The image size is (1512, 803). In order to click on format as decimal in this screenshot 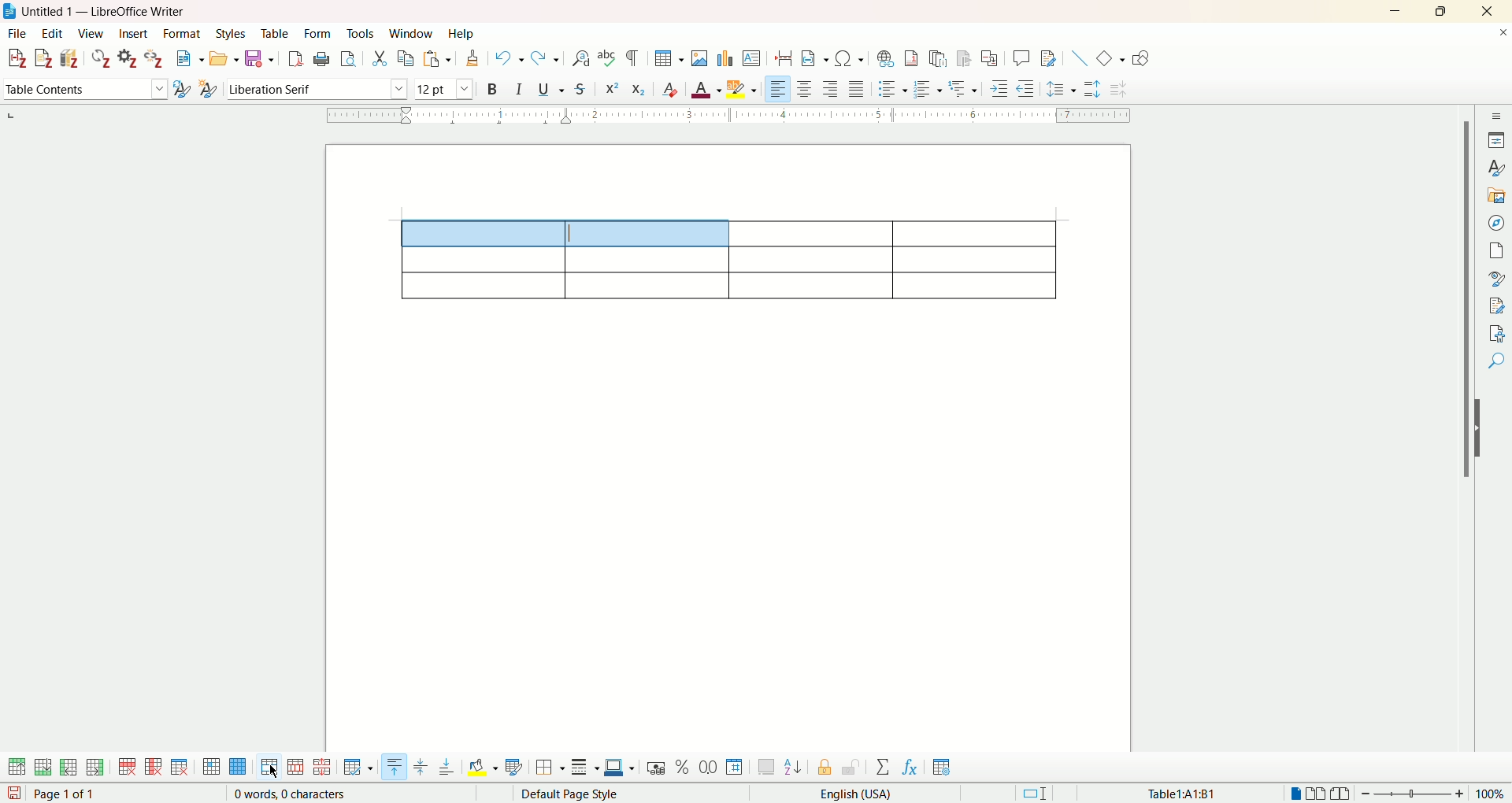, I will do `click(712, 768)`.